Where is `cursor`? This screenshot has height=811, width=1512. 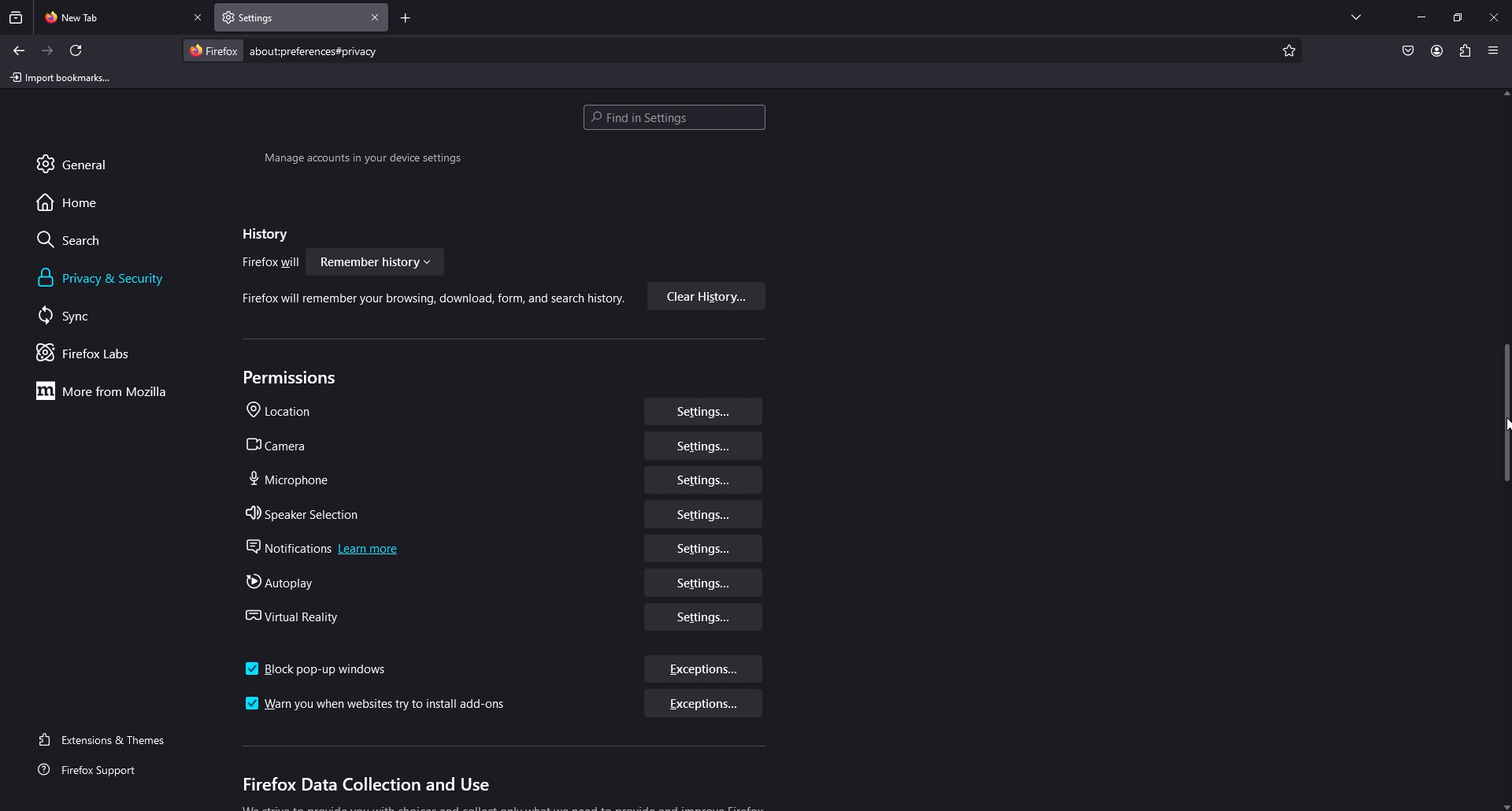
cursor is located at coordinates (1503, 428).